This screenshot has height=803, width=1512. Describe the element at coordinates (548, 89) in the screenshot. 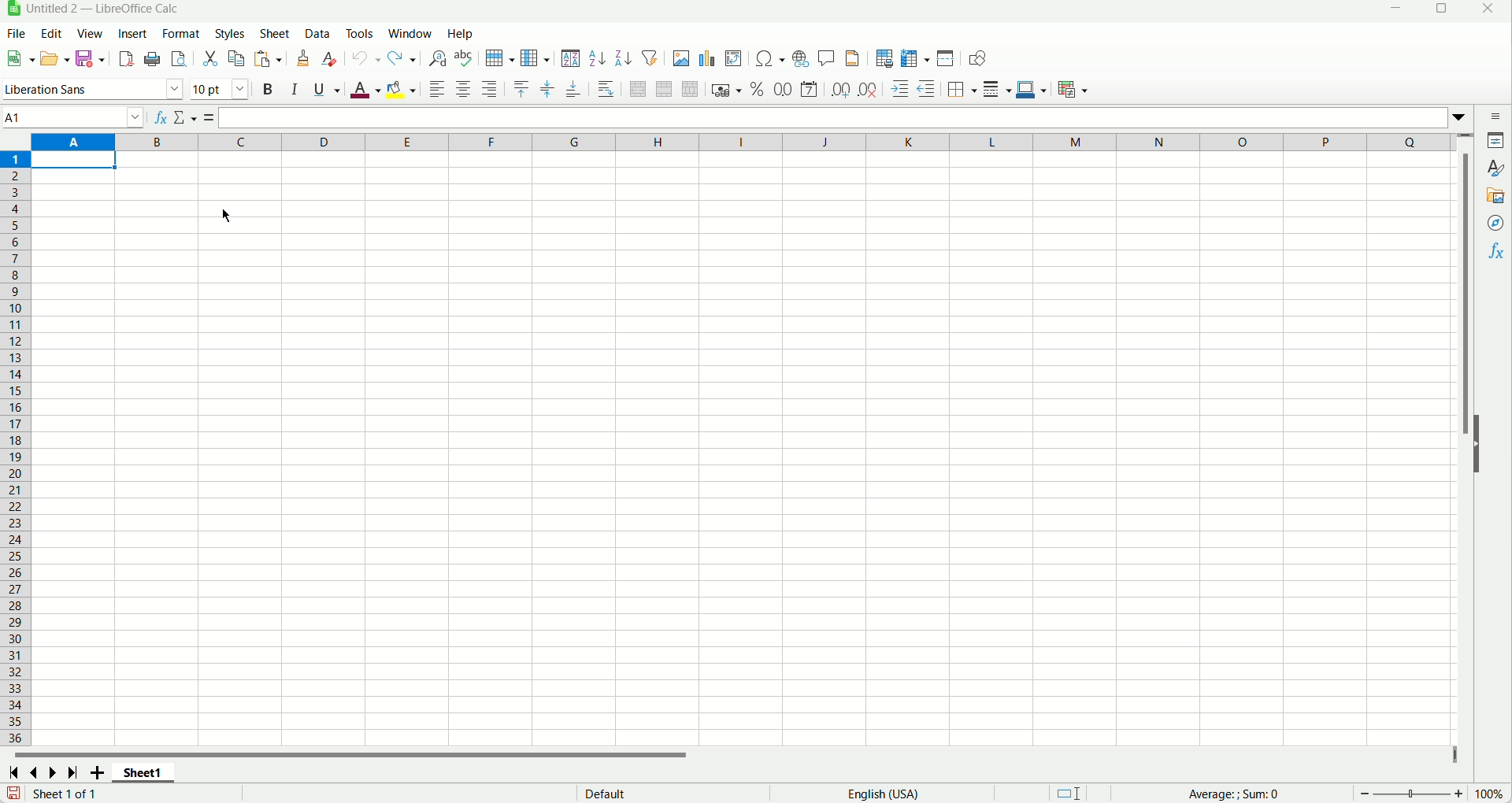

I see `Center vertically` at that location.